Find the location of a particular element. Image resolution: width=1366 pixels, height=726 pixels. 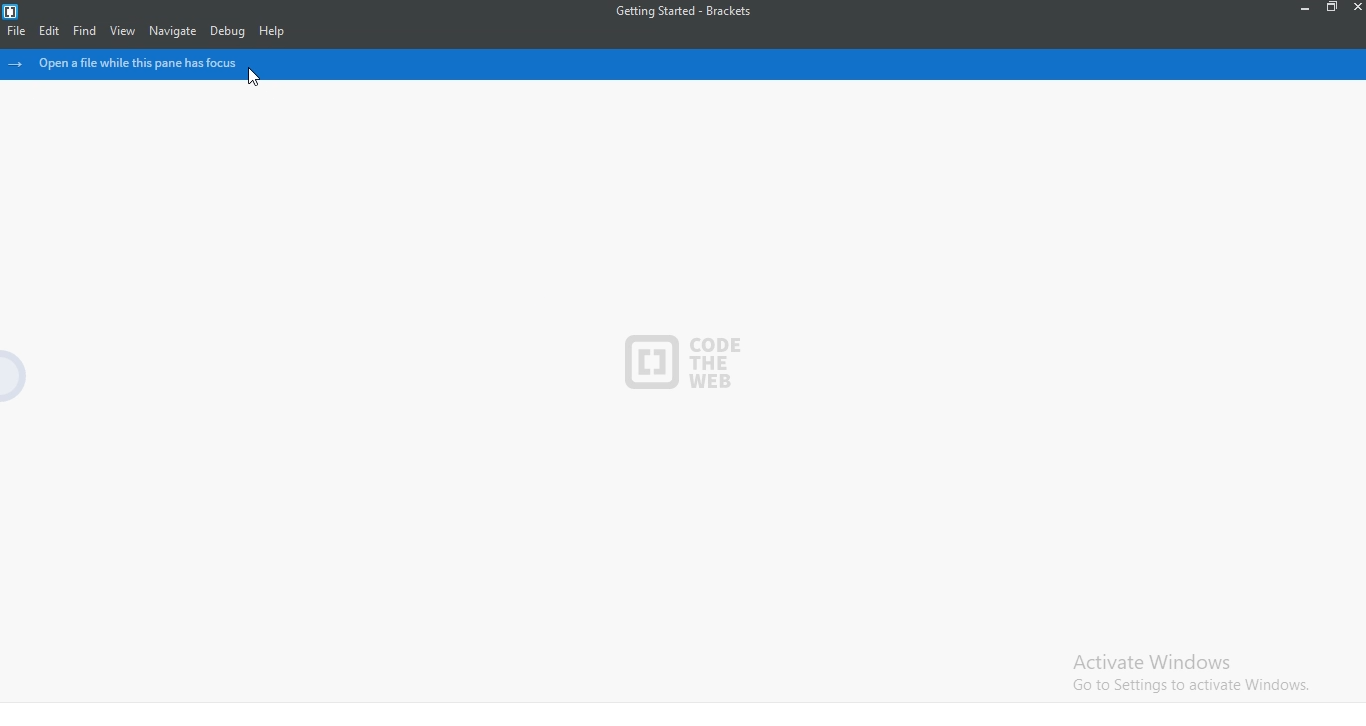

File is located at coordinates (17, 31).